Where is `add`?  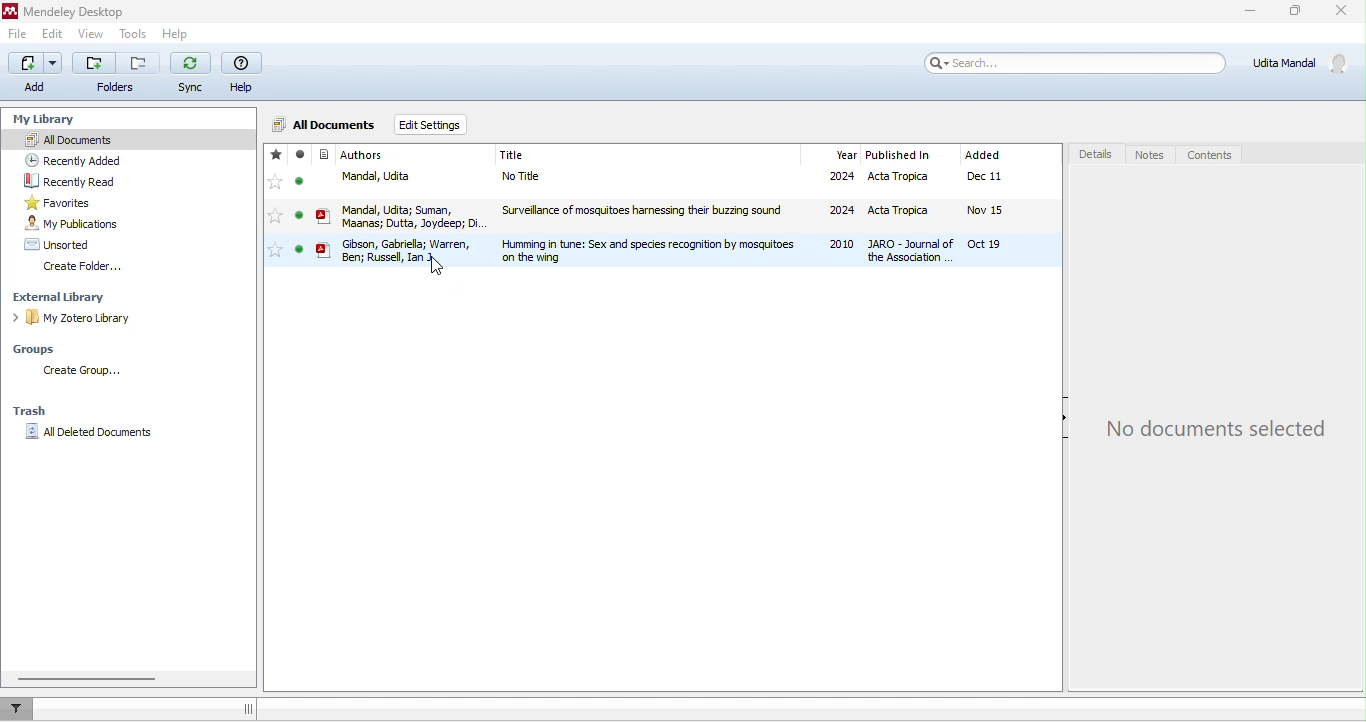 add is located at coordinates (37, 75).